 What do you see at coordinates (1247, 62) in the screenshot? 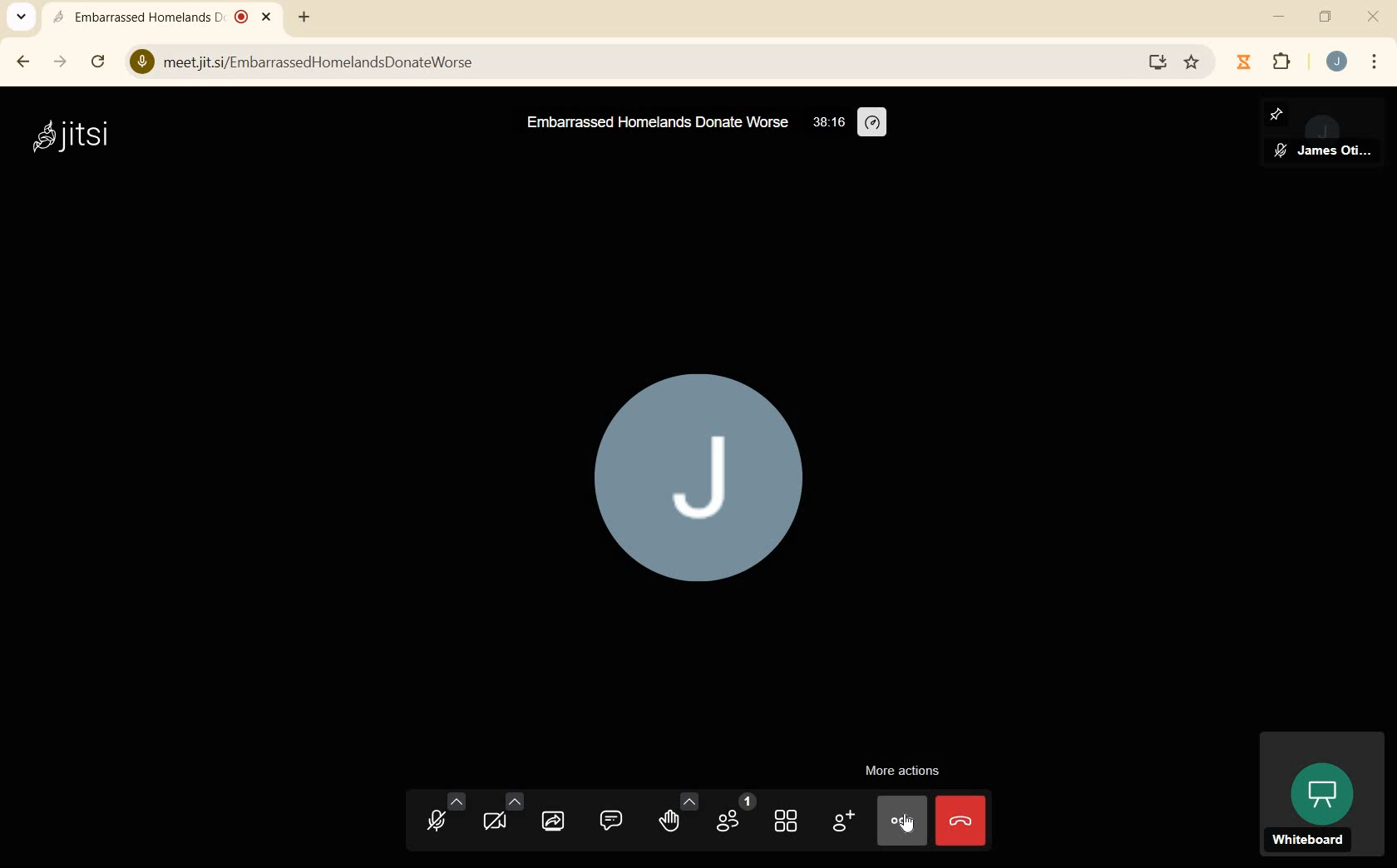
I see `jibble` at bounding box center [1247, 62].